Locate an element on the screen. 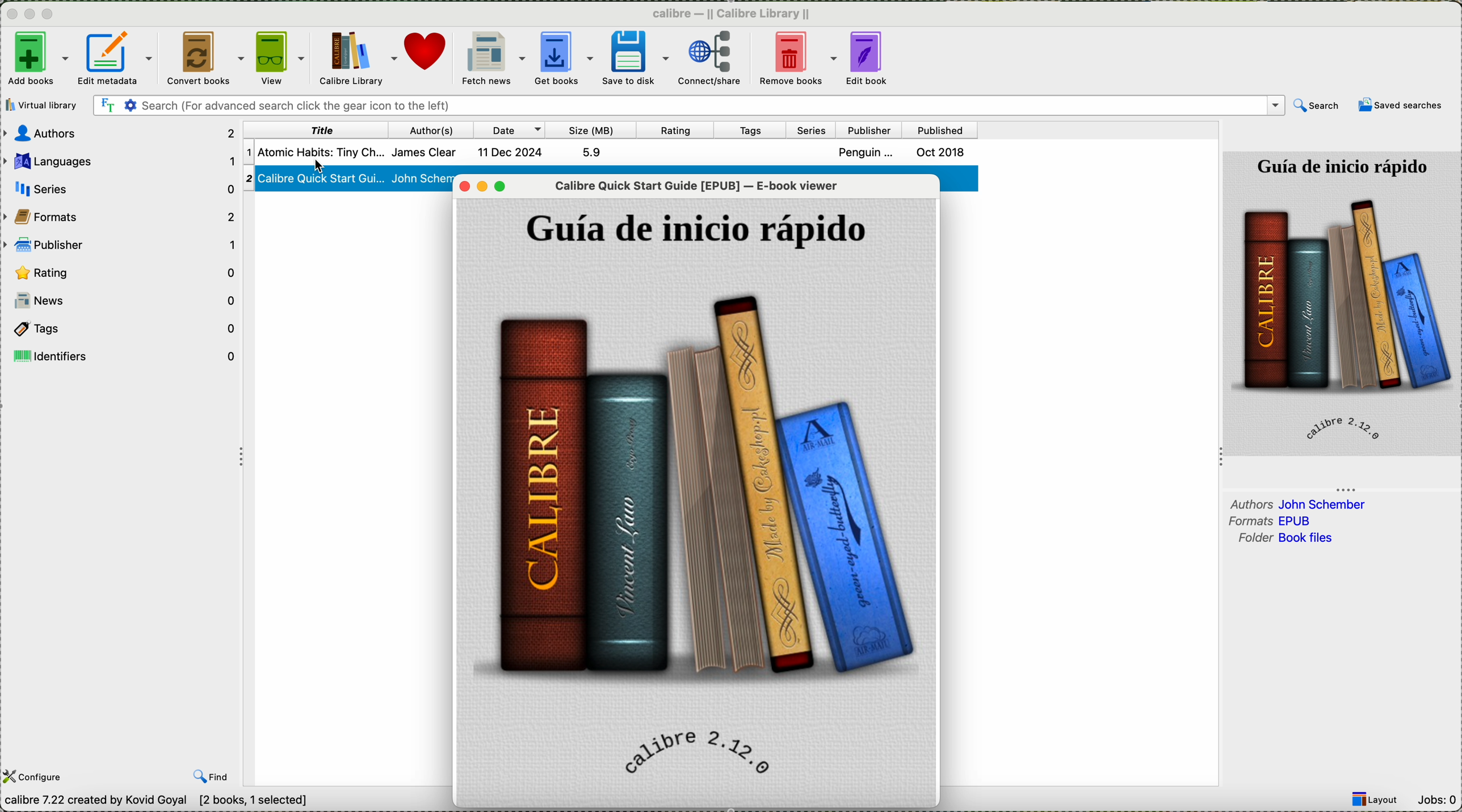 The height and width of the screenshot is (812, 1462). search is located at coordinates (1317, 106).